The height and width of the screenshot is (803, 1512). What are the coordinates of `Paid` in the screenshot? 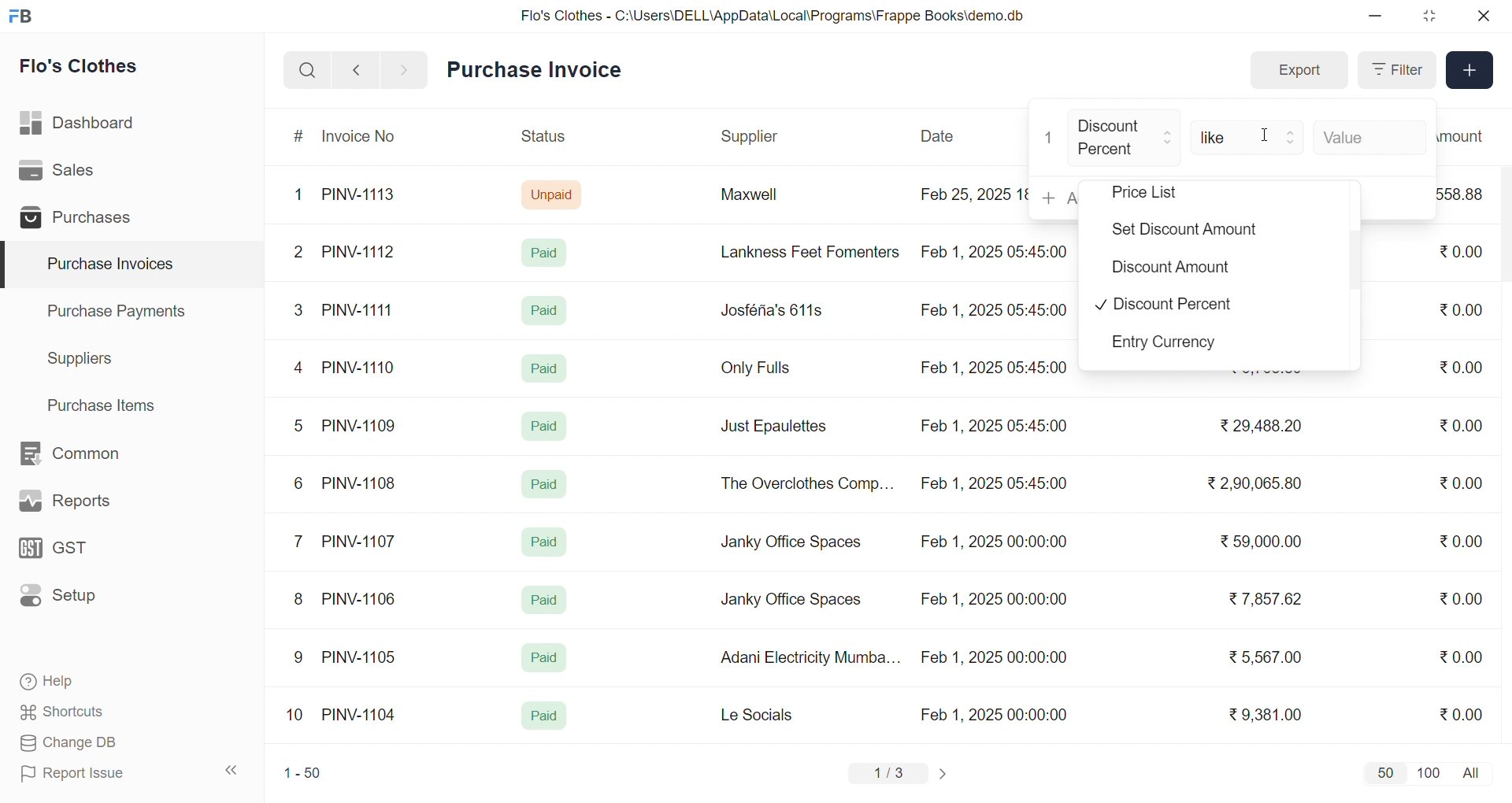 It's located at (547, 424).